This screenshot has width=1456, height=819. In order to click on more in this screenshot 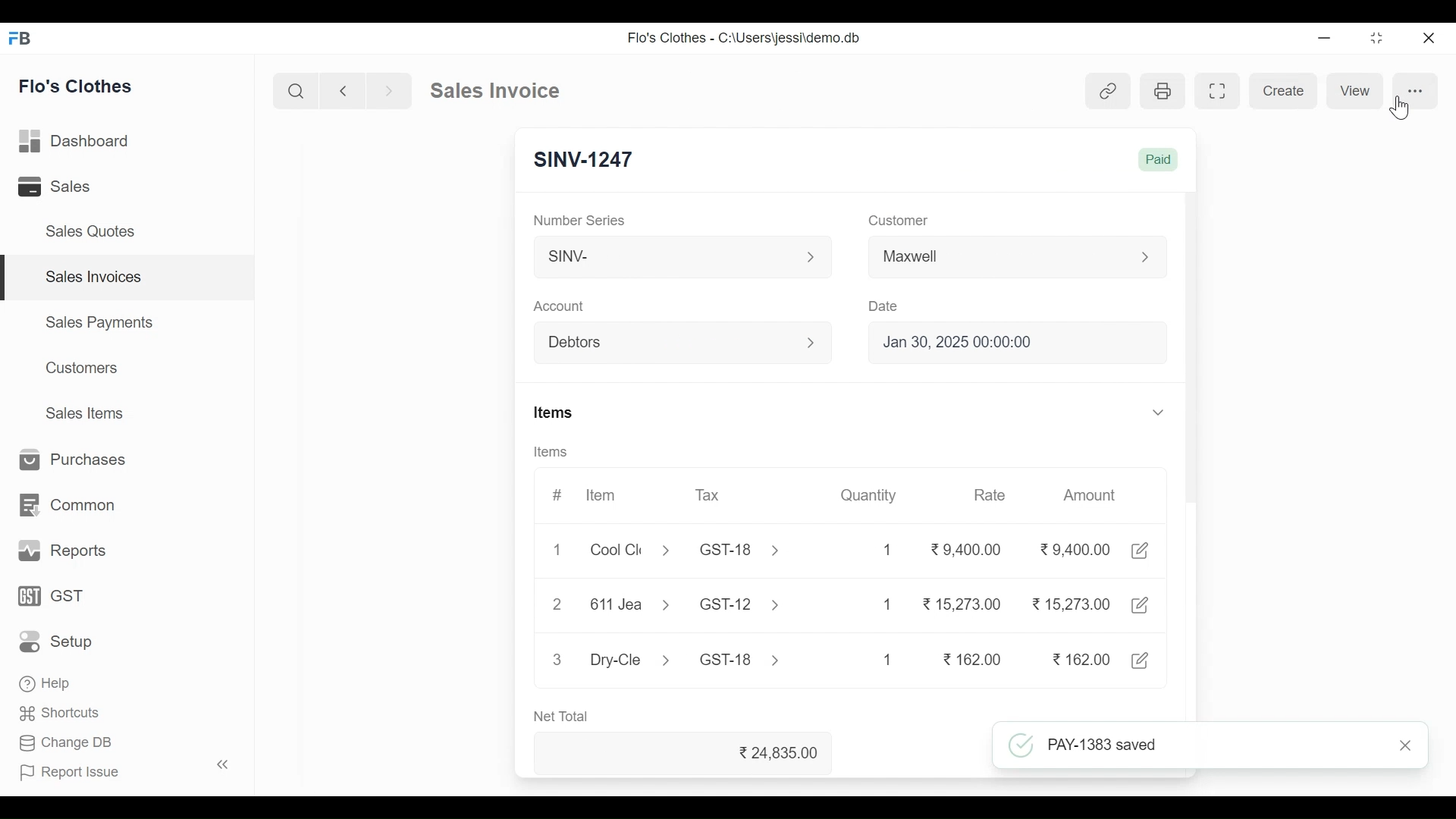, I will do `click(1414, 89)`.